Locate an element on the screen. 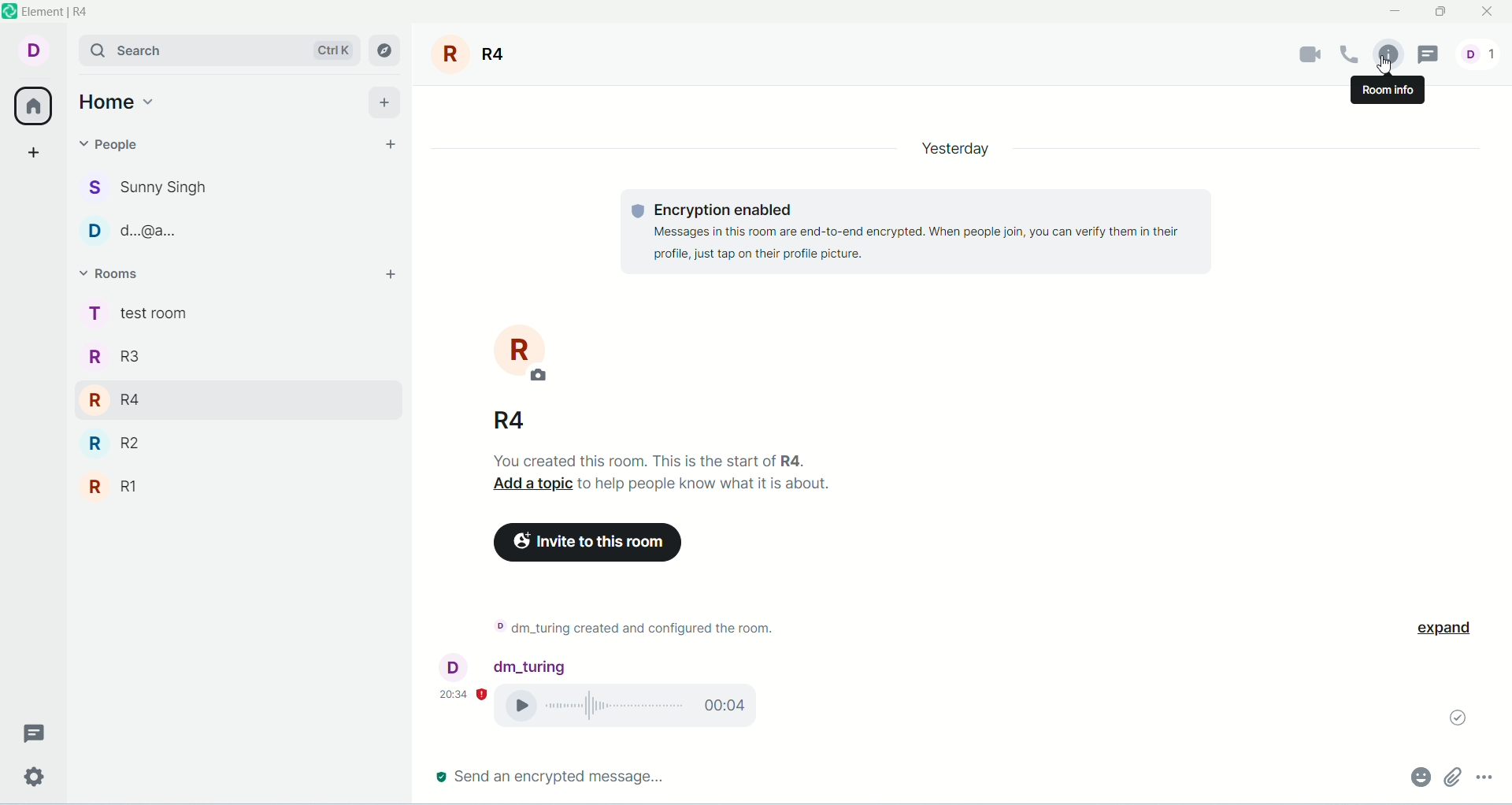 The image size is (1512, 805). add is located at coordinates (387, 100).